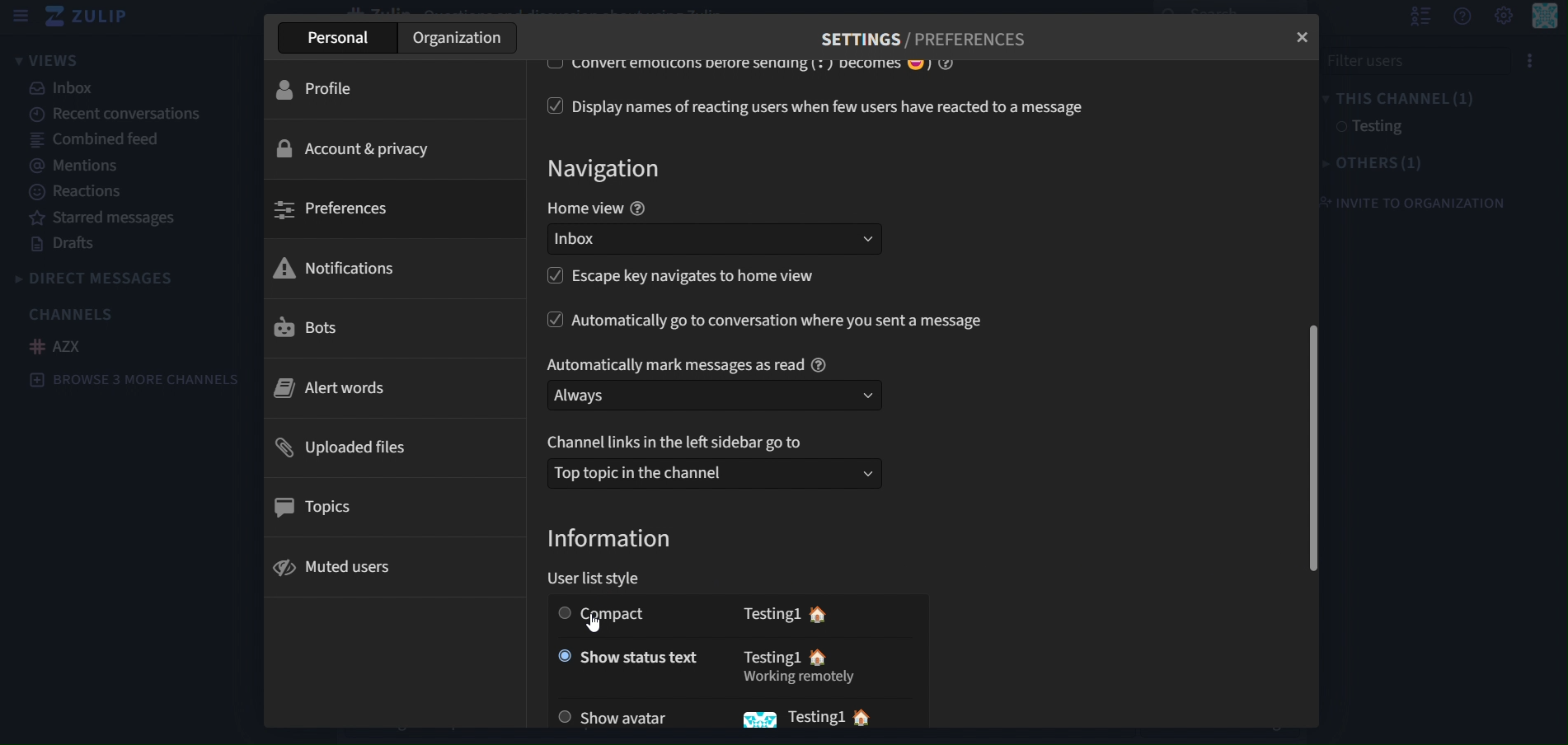  What do you see at coordinates (680, 443) in the screenshot?
I see `channel links in the left sidebar go to` at bounding box center [680, 443].